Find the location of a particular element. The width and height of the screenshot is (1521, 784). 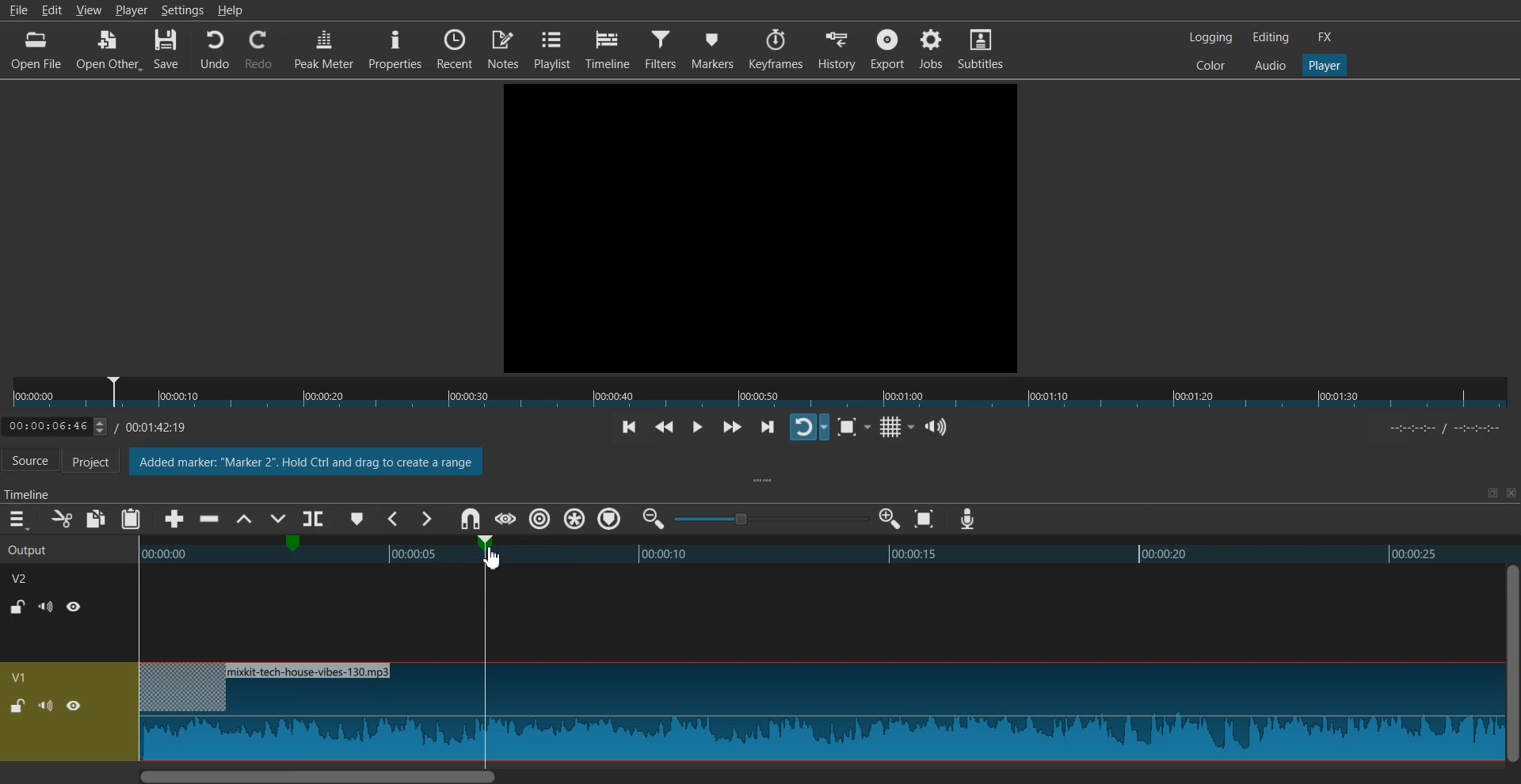

Zoom adjuster toggle is located at coordinates (771, 519).